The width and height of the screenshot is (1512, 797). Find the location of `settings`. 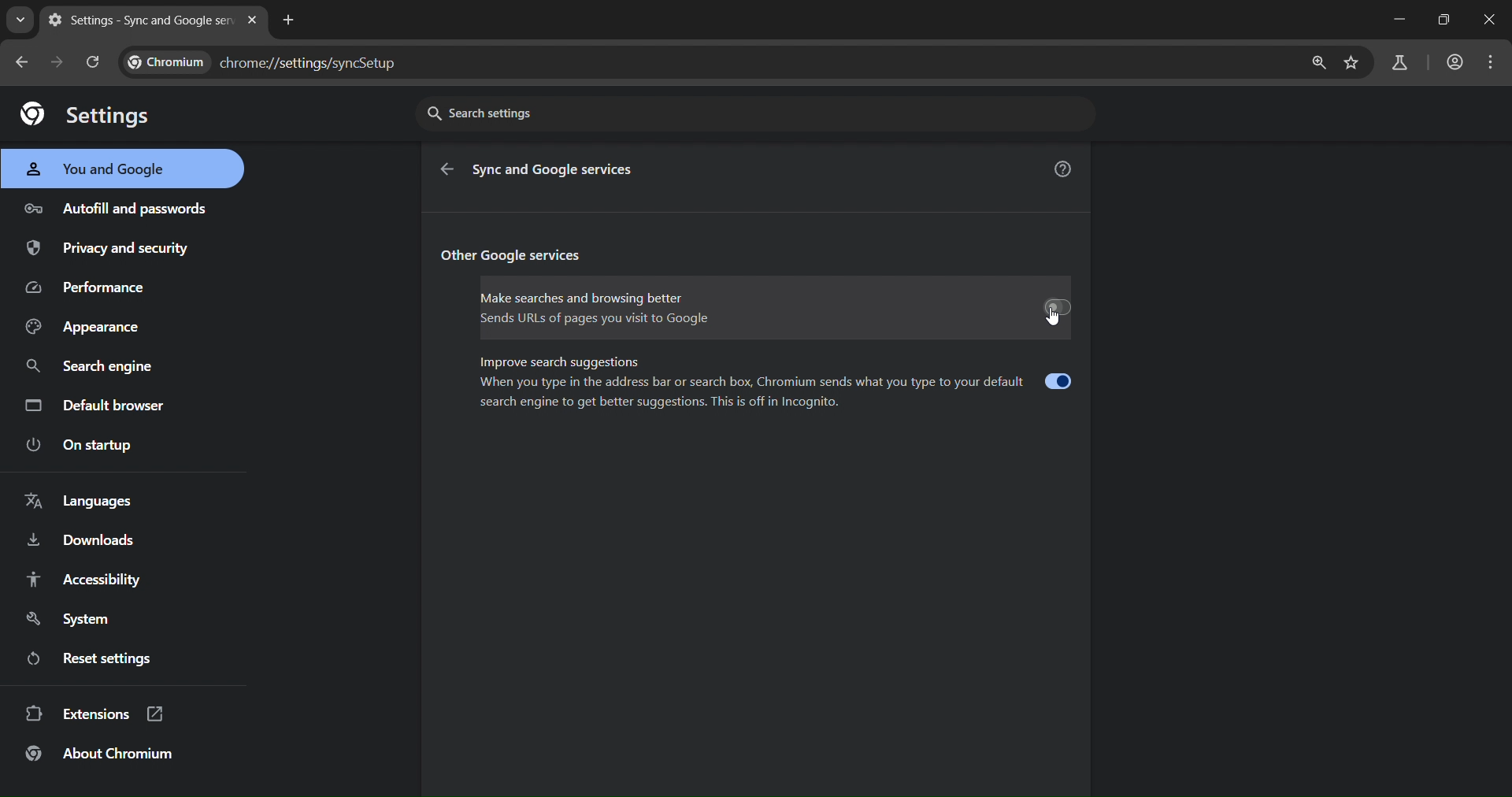

settings is located at coordinates (87, 114).